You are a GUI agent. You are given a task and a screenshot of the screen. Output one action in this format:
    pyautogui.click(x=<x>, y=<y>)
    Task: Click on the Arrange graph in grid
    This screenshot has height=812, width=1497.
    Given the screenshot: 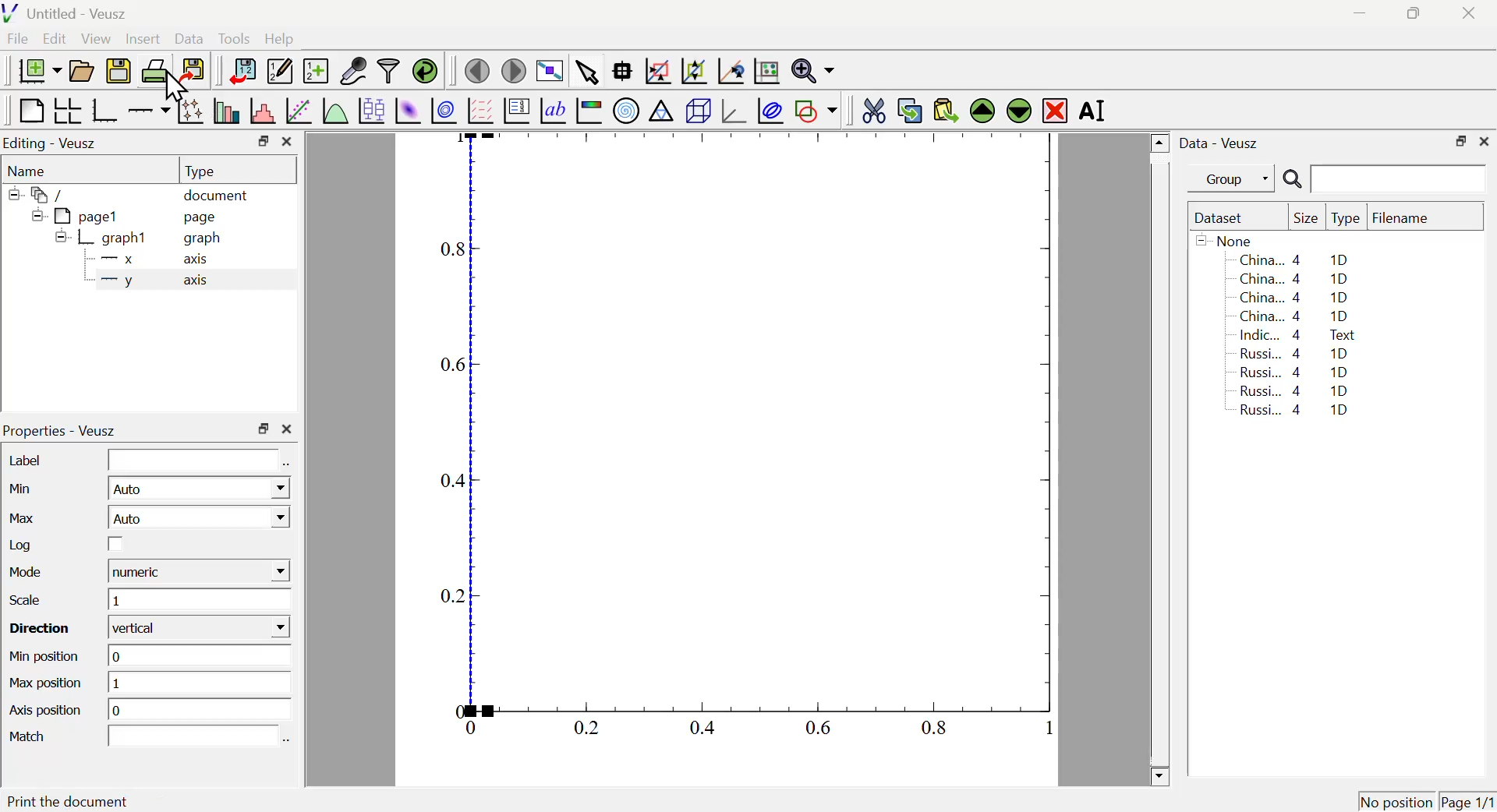 What is the action you would take?
    pyautogui.click(x=66, y=110)
    